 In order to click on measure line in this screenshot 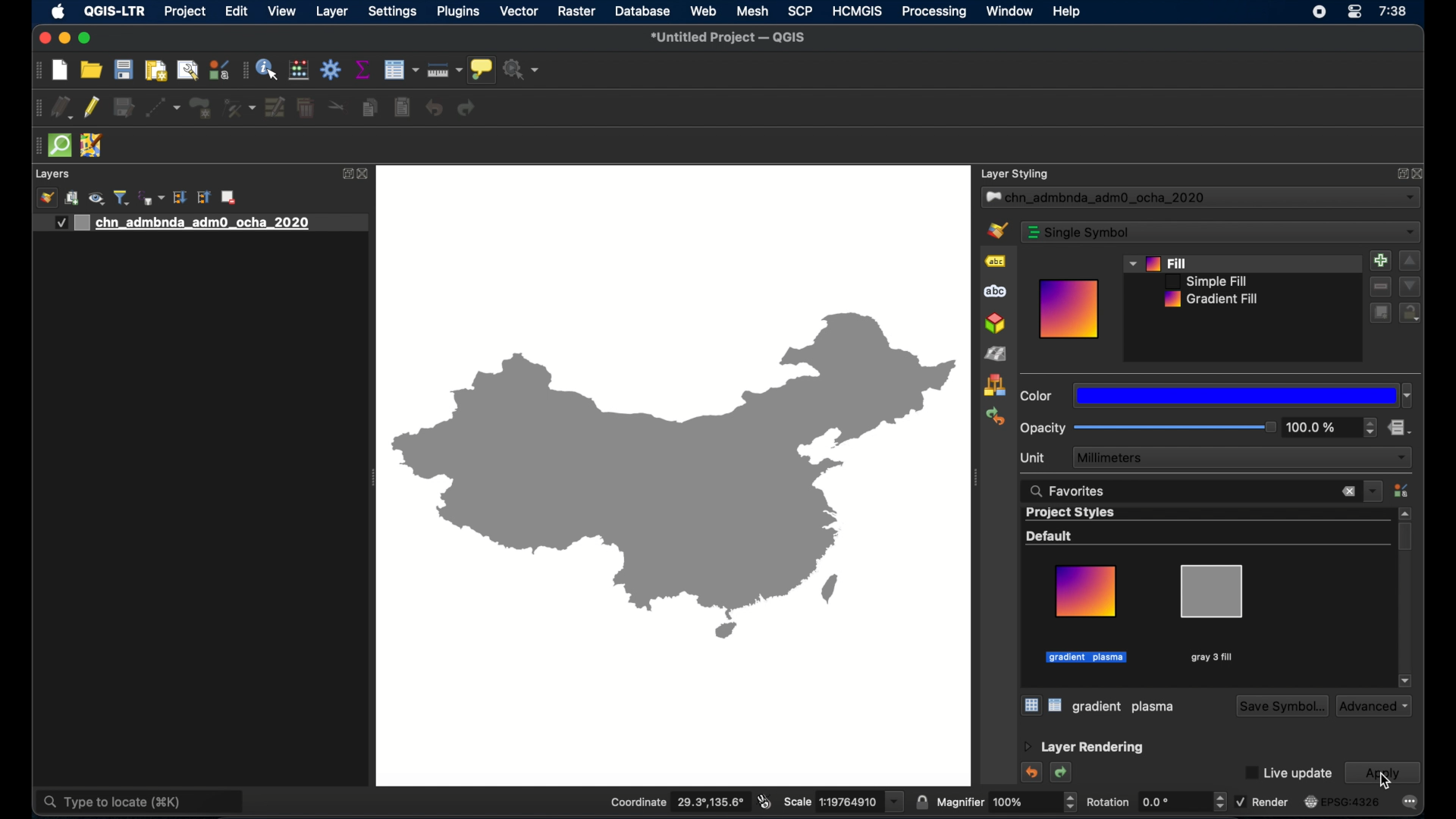, I will do `click(444, 70)`.